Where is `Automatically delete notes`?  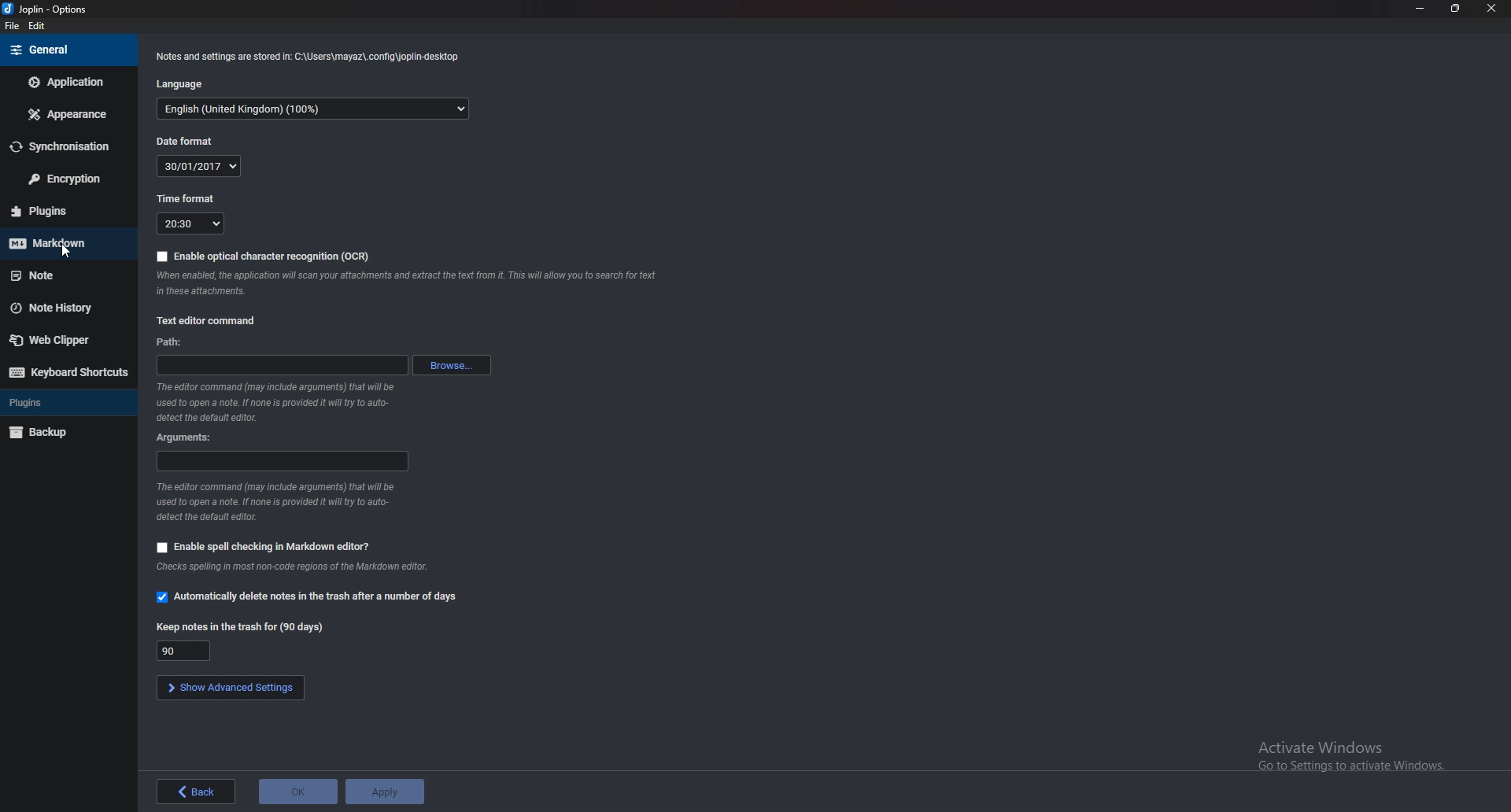
Automatically delete notes is located at coordinates (307, 596).